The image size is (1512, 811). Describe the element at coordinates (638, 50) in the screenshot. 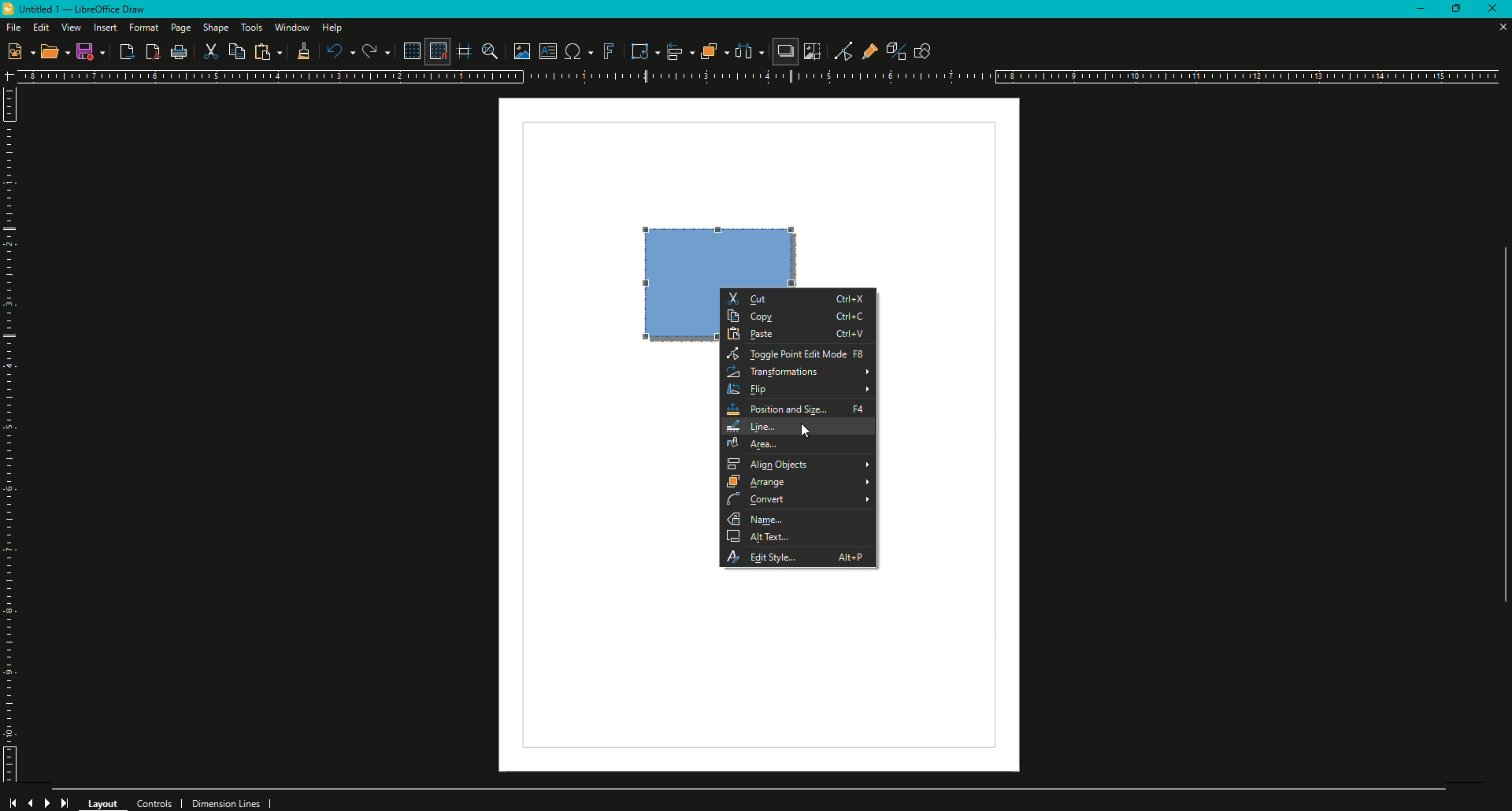

I see `Transformations` at that location.